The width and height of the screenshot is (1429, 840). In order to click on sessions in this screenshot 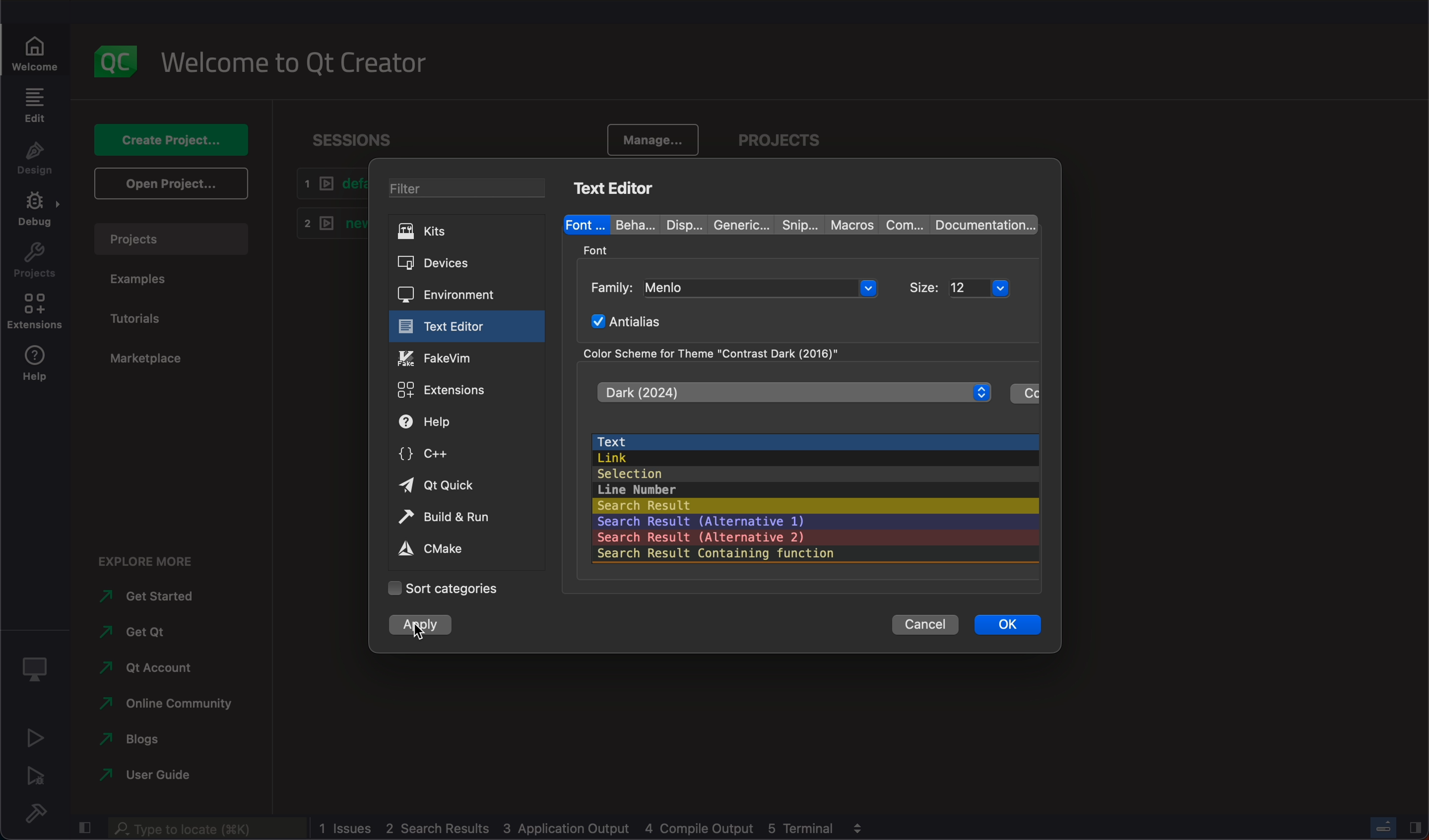, I will do `click(356, 136)`.